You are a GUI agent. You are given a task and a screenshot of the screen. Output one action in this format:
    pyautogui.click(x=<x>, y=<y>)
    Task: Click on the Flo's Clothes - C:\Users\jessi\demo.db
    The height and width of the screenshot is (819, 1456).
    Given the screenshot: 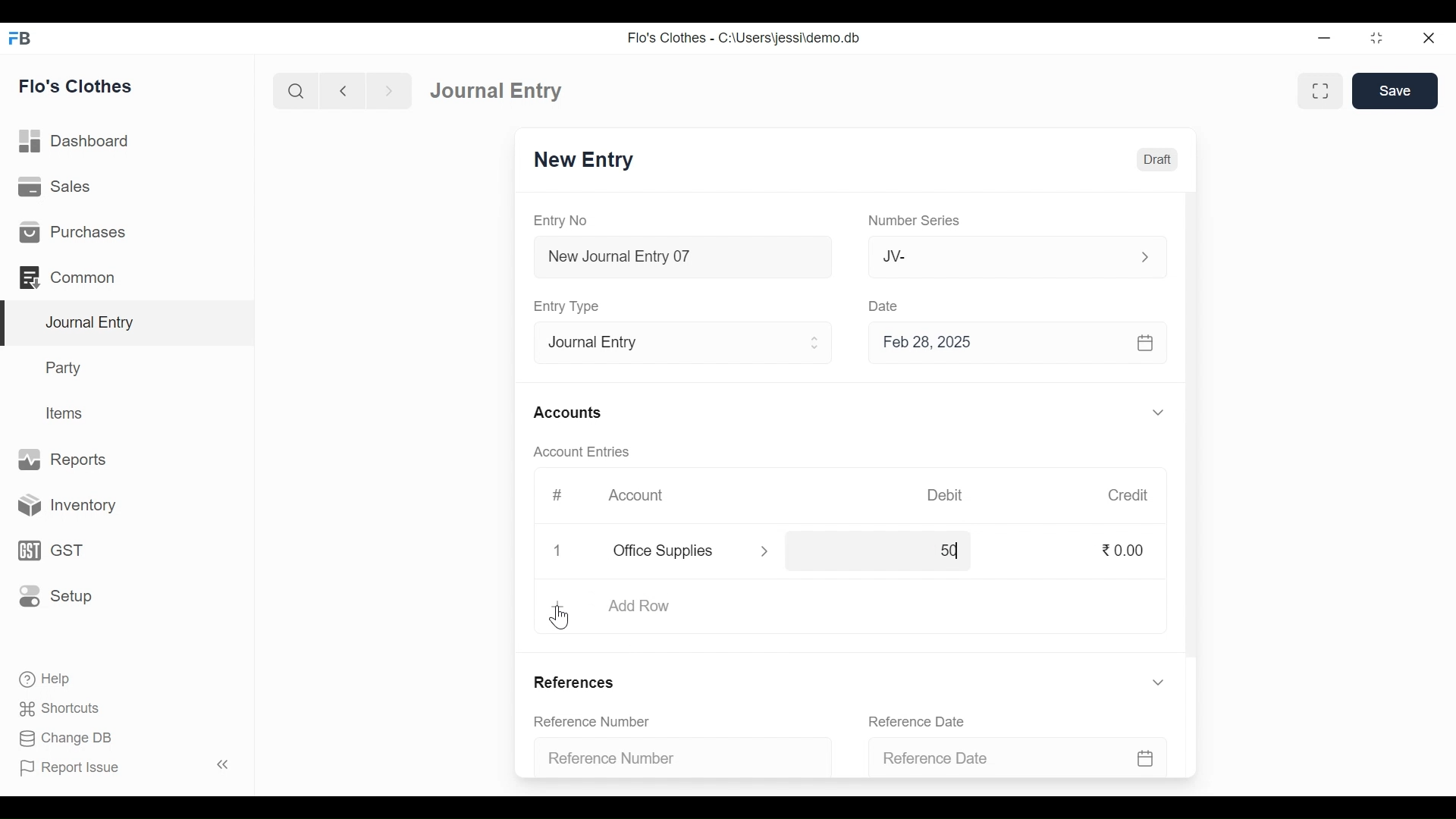 What is the action you would take?
    pyautogui.click(x=746, y=38)
    